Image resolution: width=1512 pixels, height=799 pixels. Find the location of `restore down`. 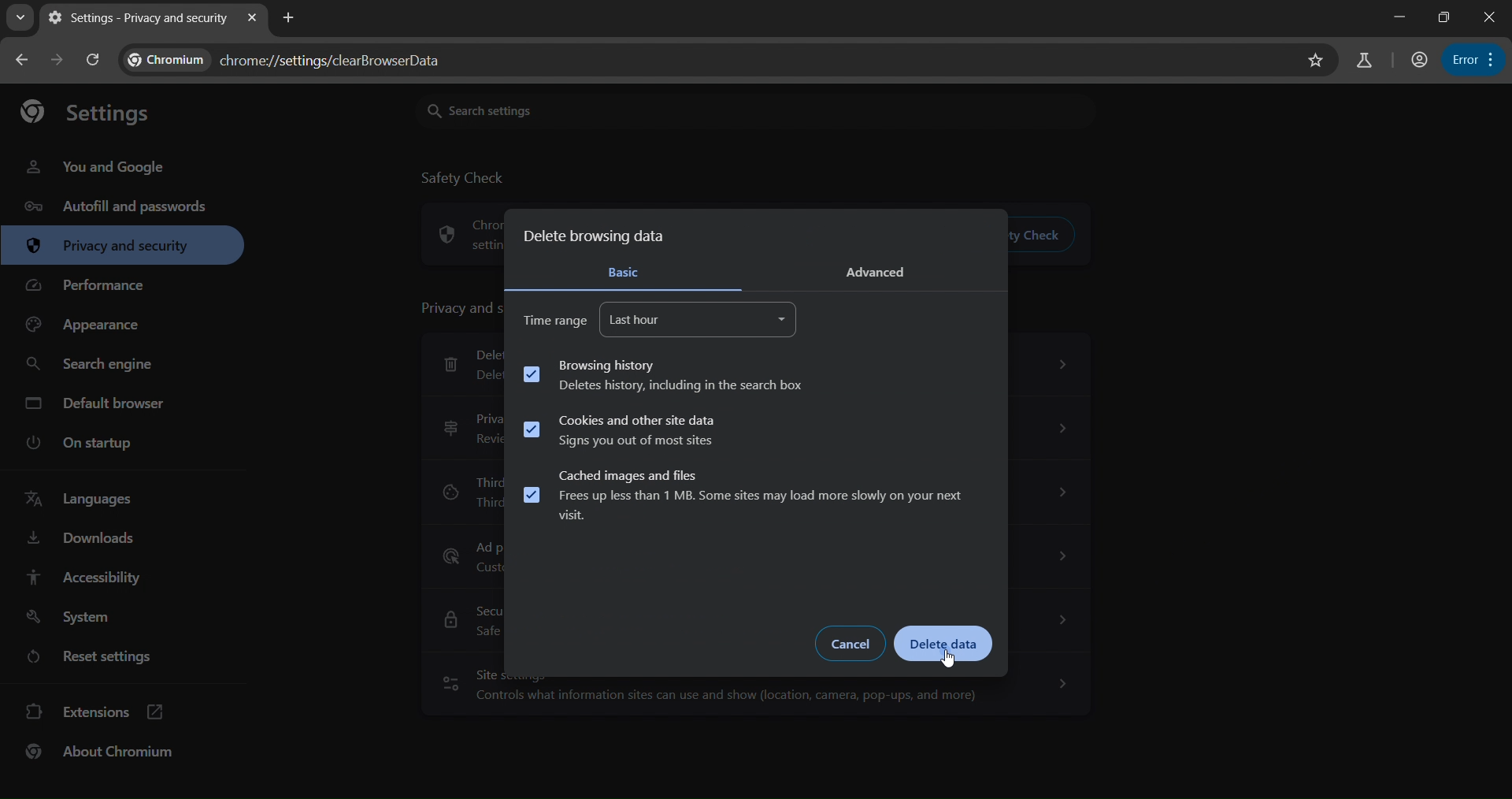

restore down is located at coordinates (1441, 17).